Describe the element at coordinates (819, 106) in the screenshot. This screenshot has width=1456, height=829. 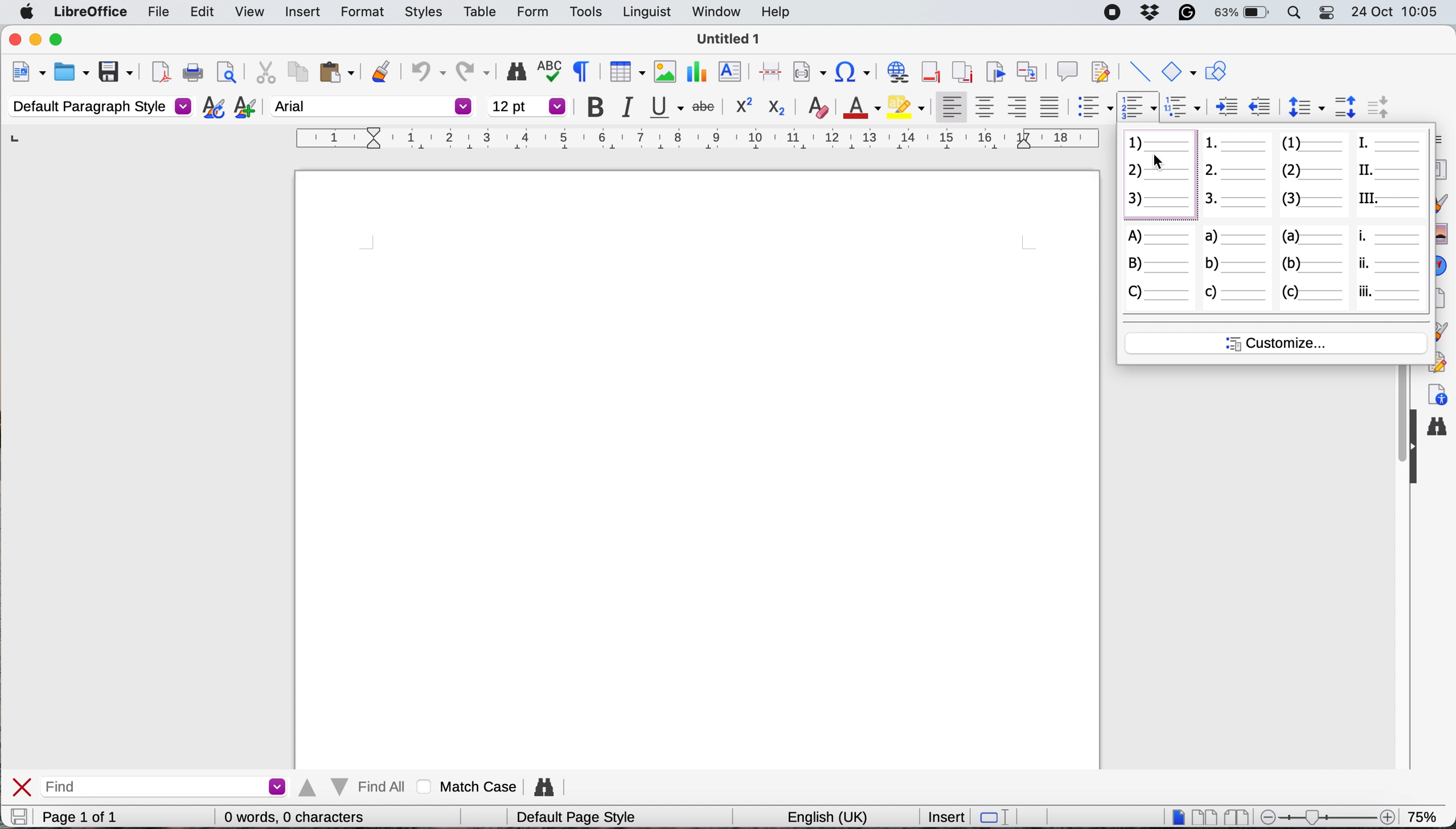
I see `clear direct formatting` at that location.